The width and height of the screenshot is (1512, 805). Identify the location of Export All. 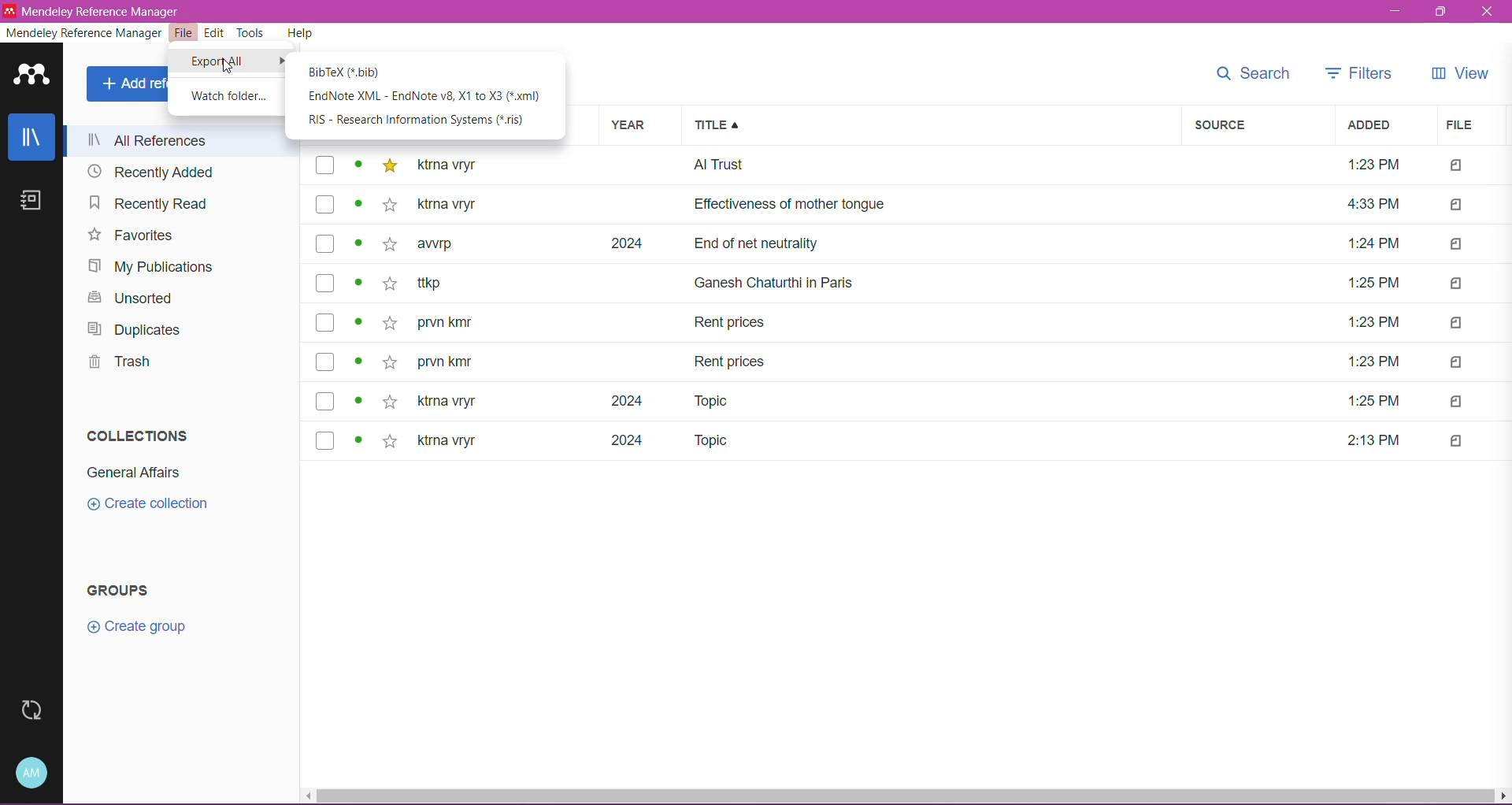
(219, 62).